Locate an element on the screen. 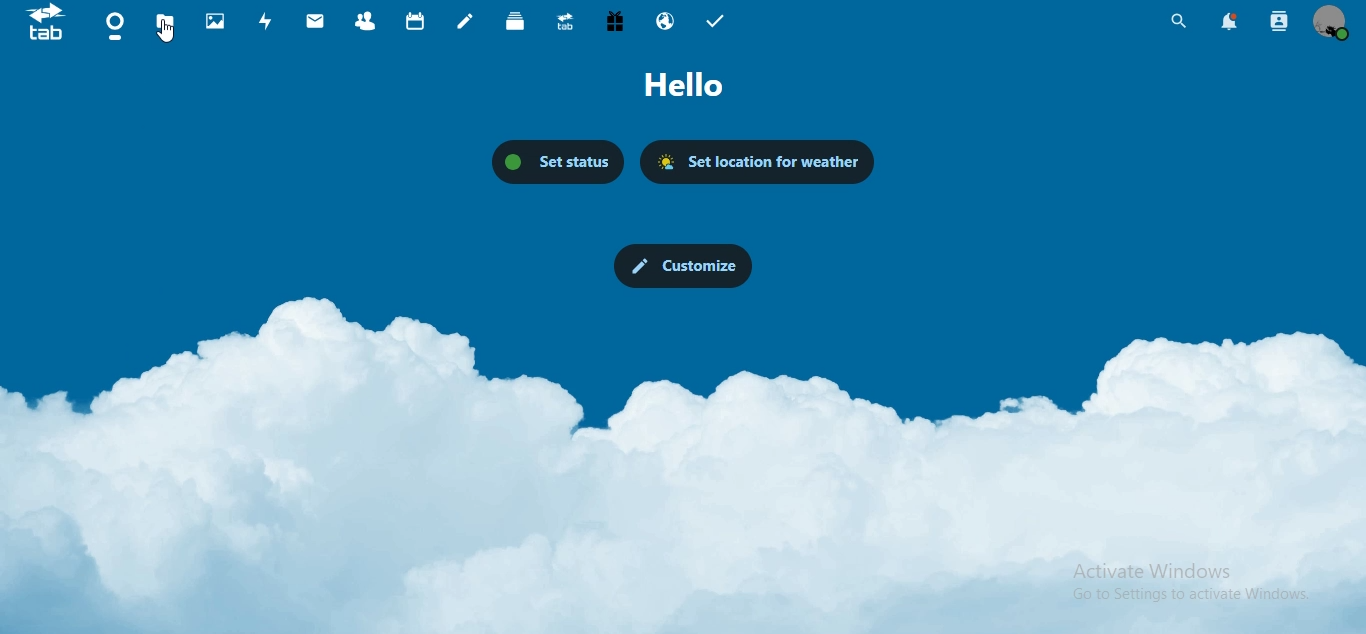 The height and width of the screenshot is (634, 1366). search contacts is located at coordinates (1278, 23).